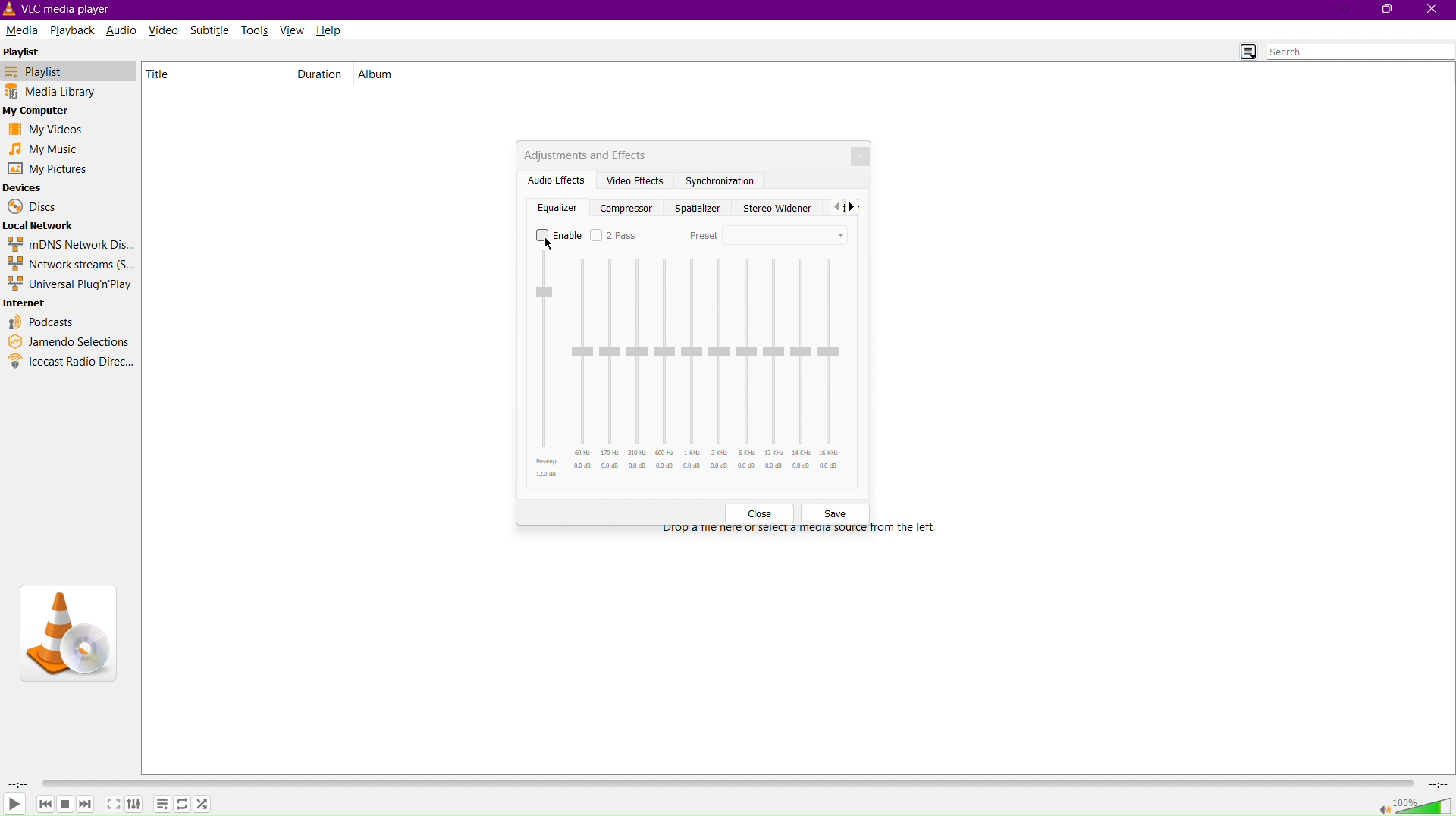  I want to click on Media Library, so click(69, 92).